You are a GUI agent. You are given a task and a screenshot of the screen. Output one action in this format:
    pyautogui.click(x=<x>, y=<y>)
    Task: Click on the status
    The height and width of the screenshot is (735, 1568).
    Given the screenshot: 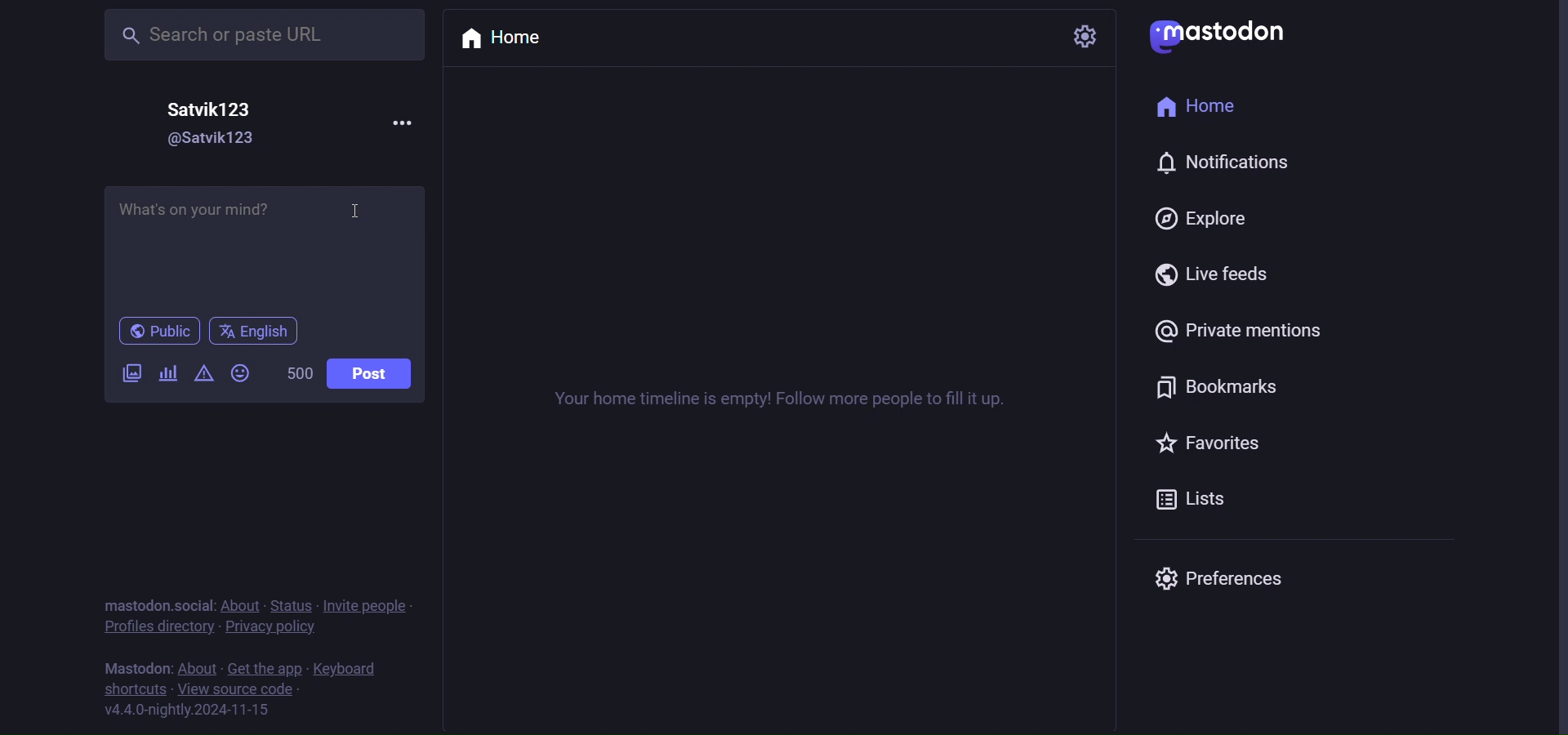 What is the action you would take?
    pyautogui.click(x=296, y=606)
    